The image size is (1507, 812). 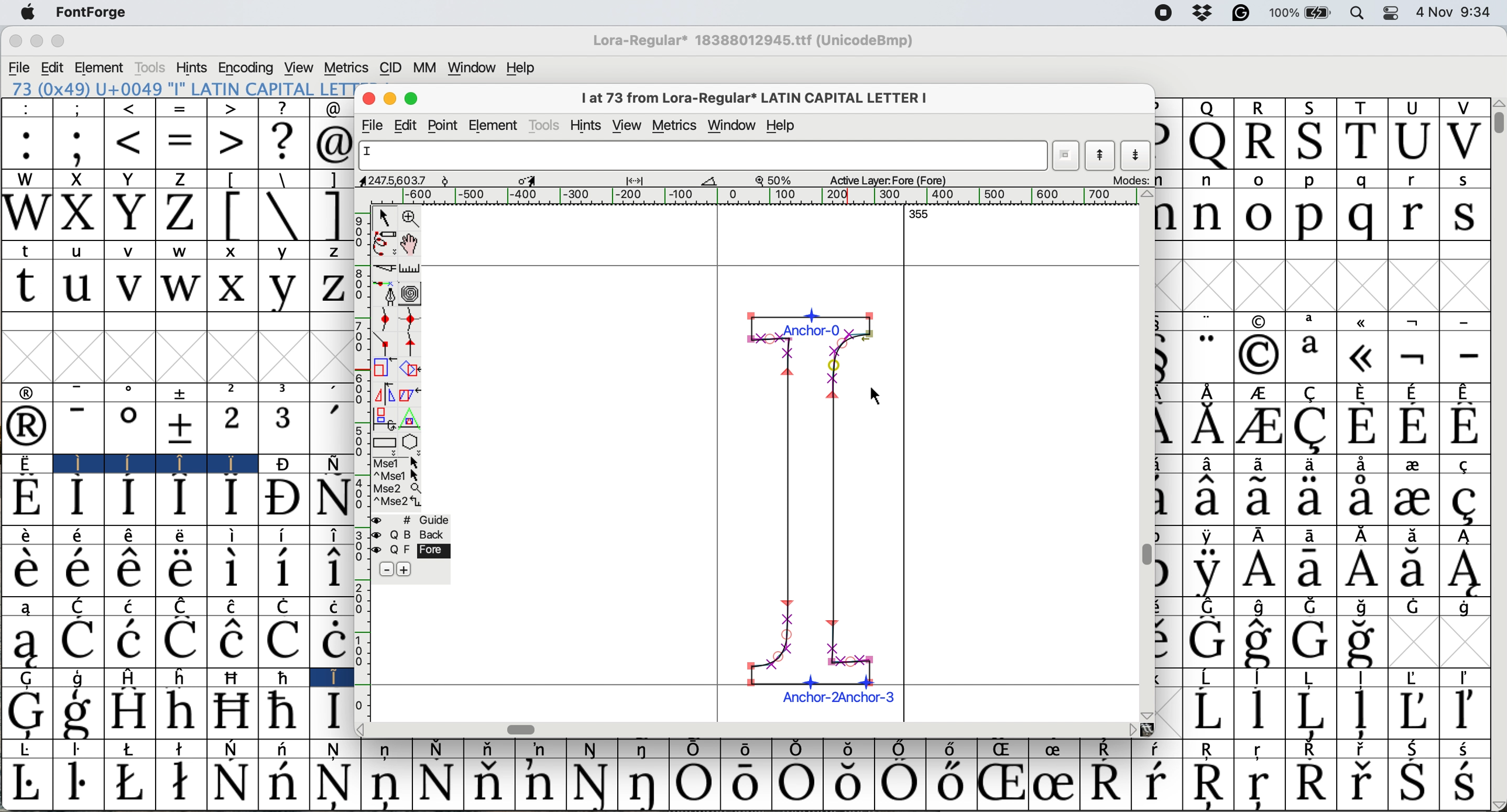 What do you see at coordinates (80, 536) in the screenshot?
I see `Symbol` at bounding box center [80, 536].